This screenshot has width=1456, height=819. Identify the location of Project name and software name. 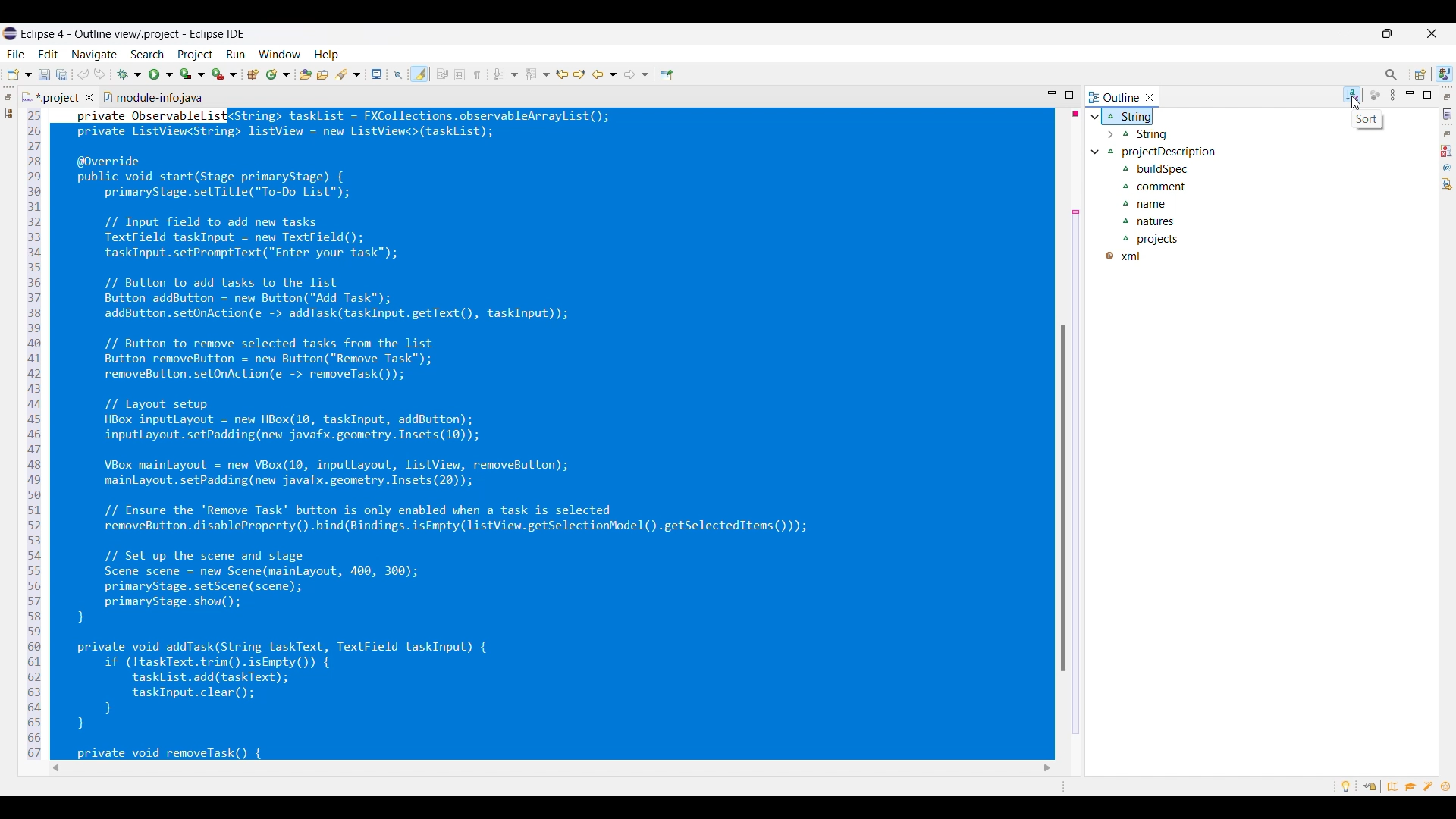
(133, 34).